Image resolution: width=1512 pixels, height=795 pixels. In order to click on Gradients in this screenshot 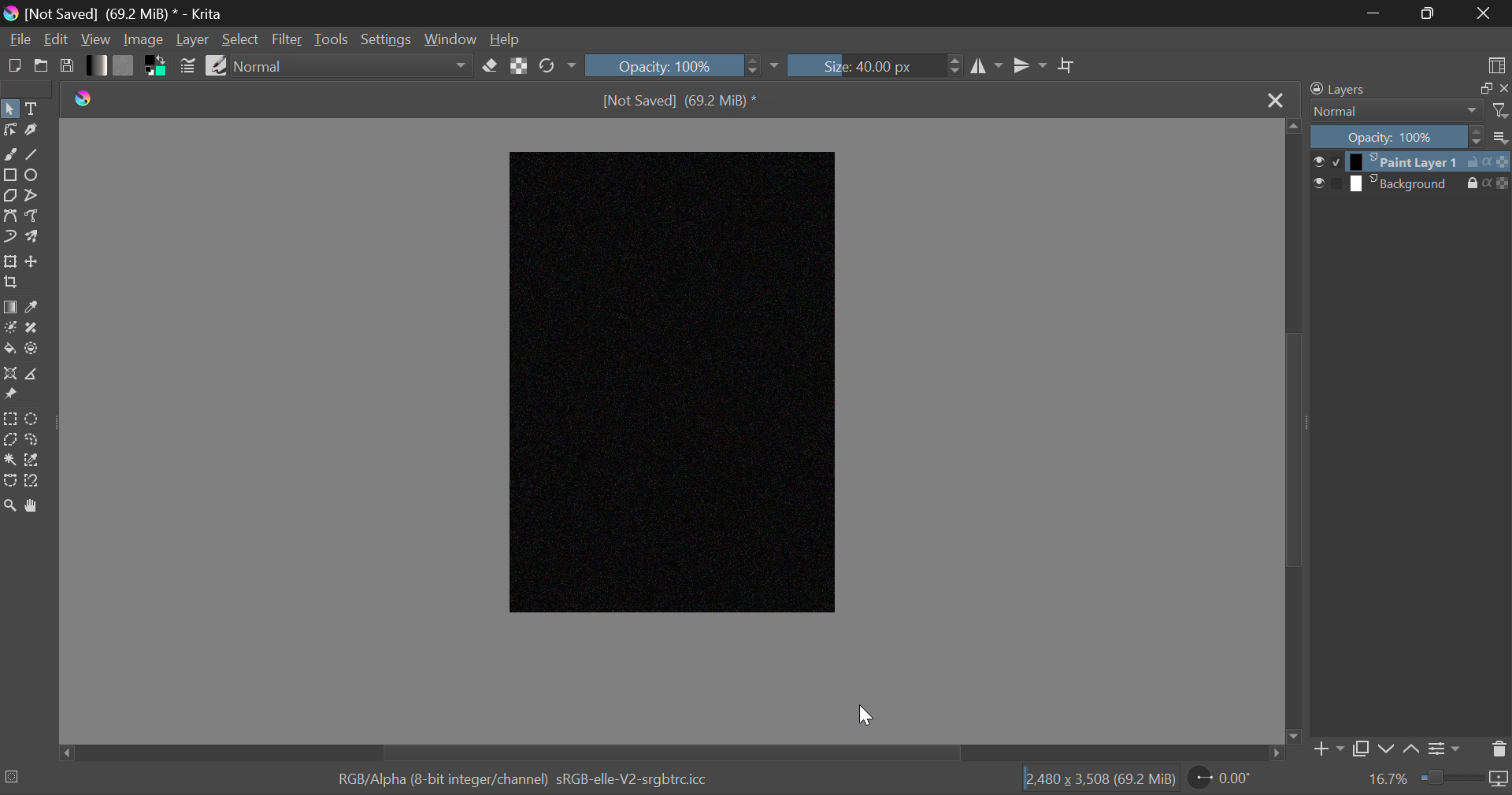, I will do `click(95, 65)`.